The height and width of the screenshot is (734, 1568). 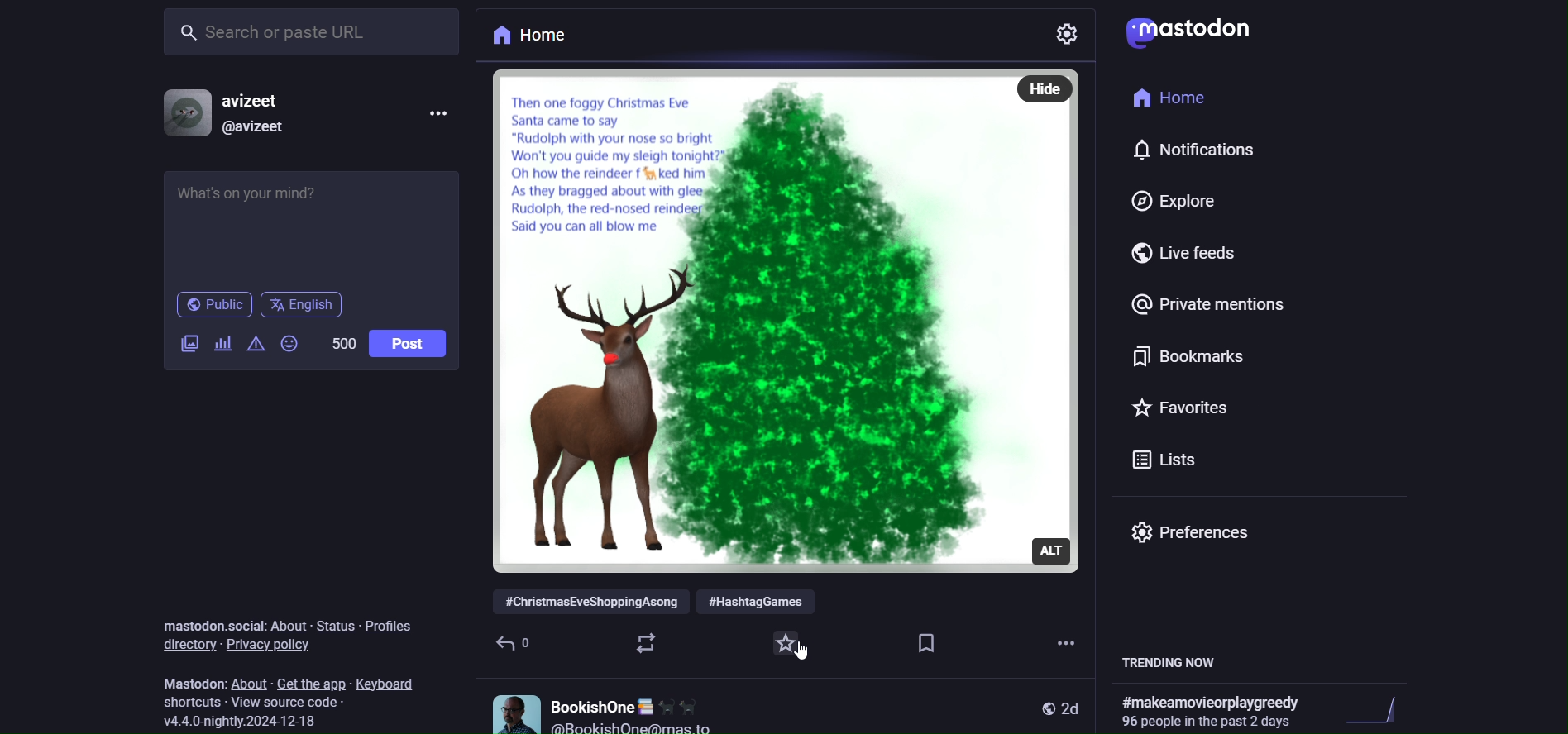 What do you see at coordinates (291, 343) in the screenshot?
I see `emoji` at bounding box center [291, 343].